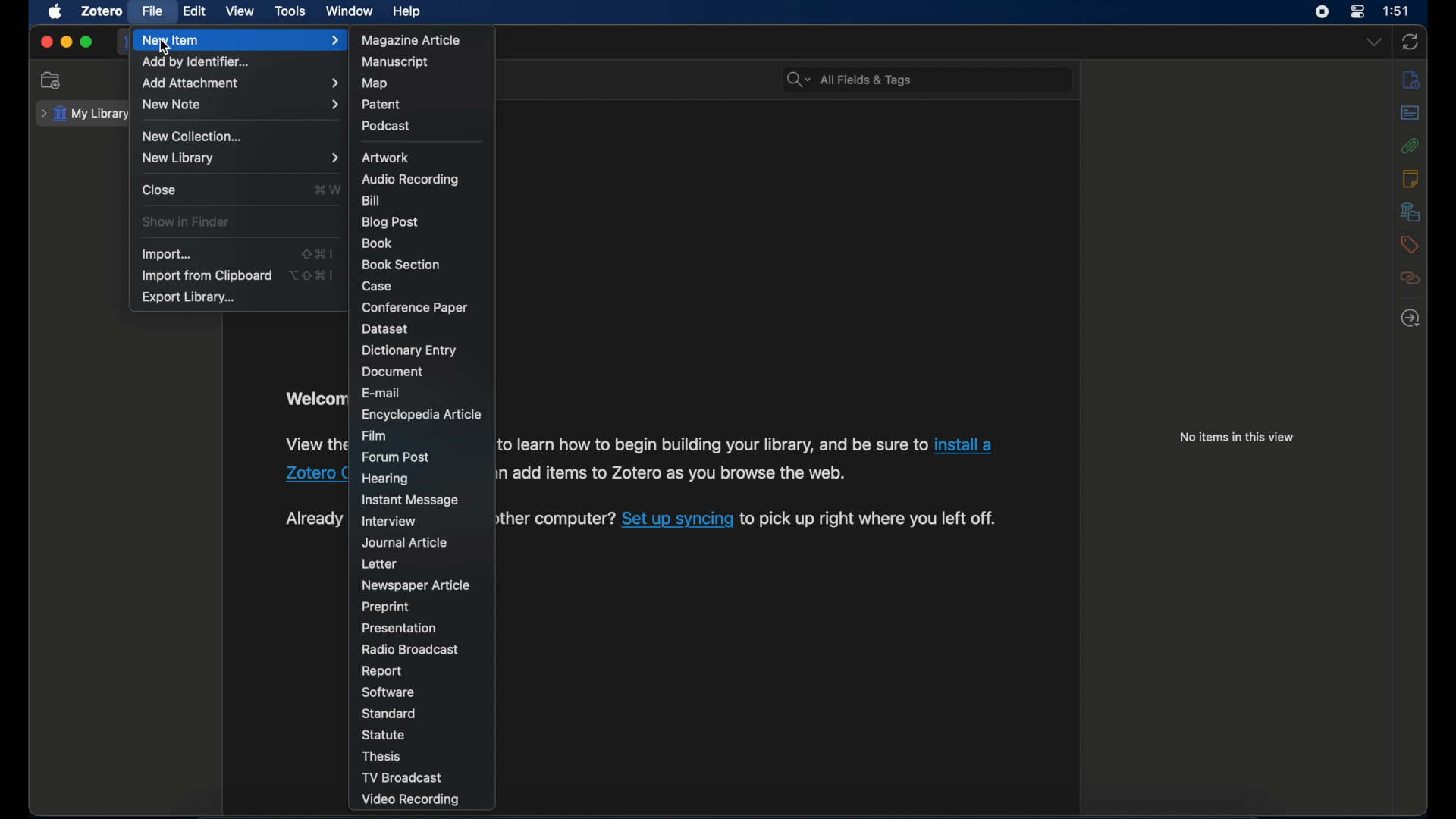 Image resolution: width=1456 pixels, height=819 pixels. What do you see at coordinates (55, 12) in the screenshot?
I see `apple ` at bounding box center [55, 12].